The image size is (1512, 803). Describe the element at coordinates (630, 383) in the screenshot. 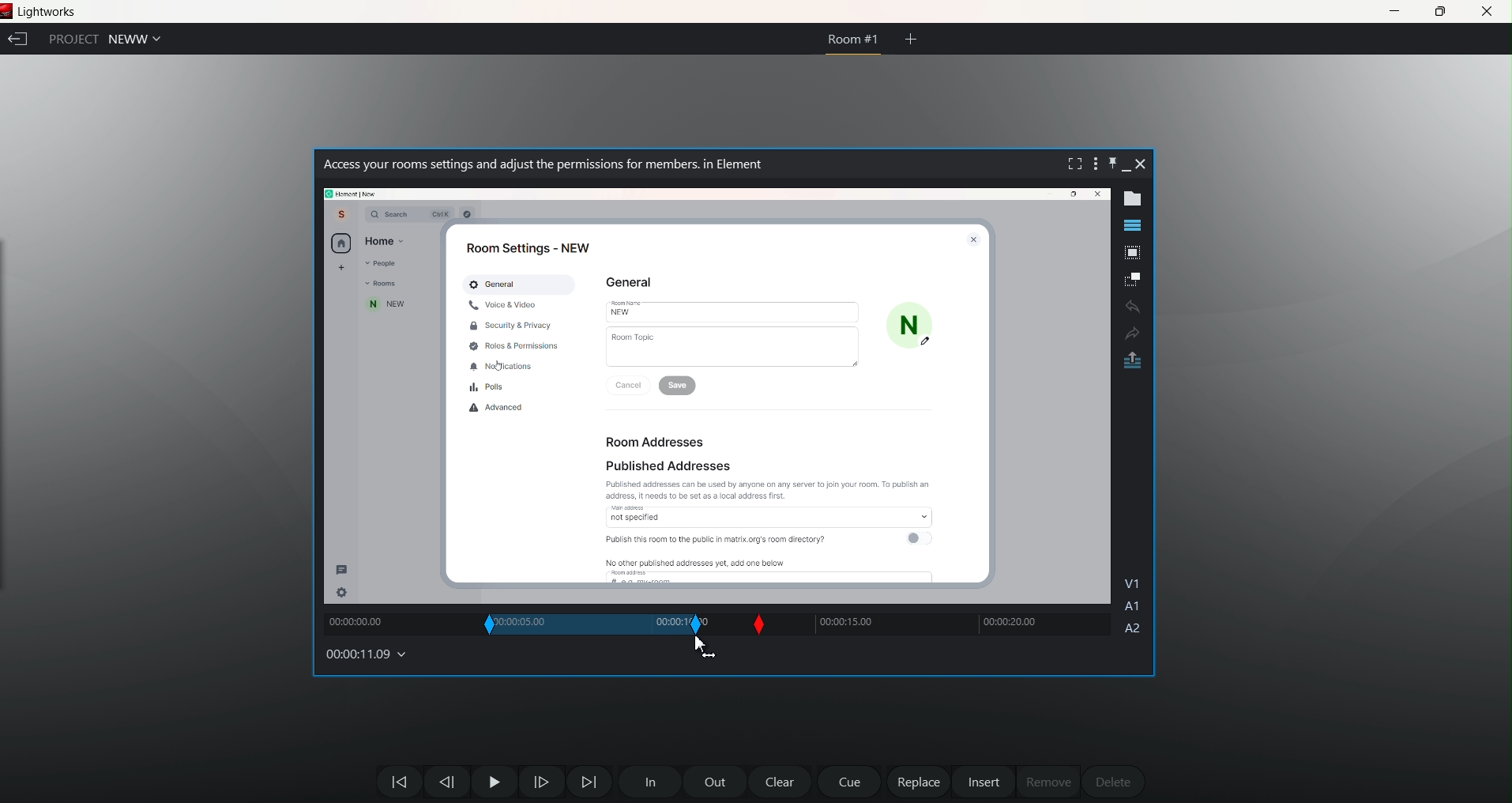

I see `Cancel` at that location.